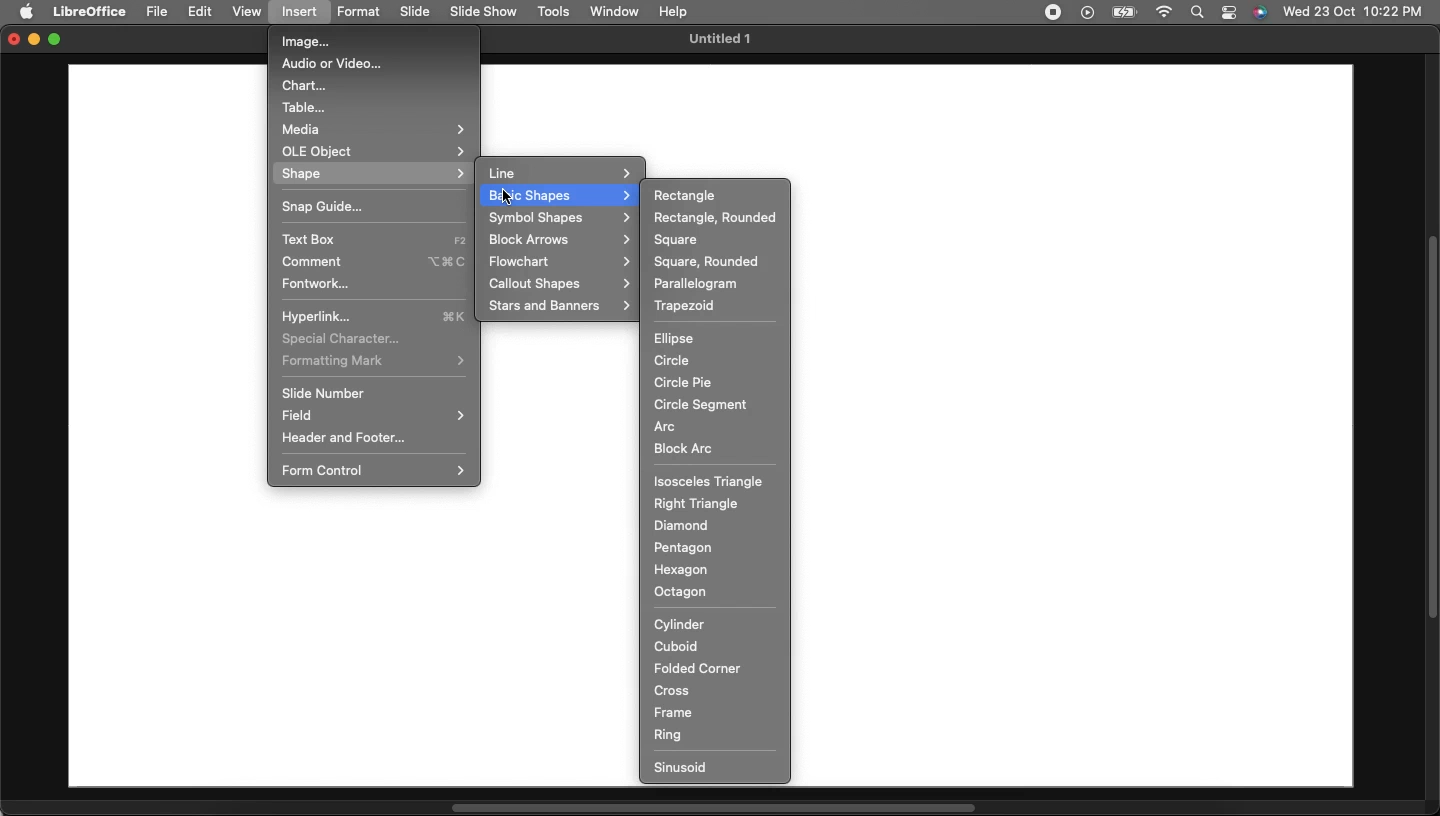  What do you see at coordinates (683, 569) in the screenshot?
I see `Hexagon` at bounding box center [683, 569].